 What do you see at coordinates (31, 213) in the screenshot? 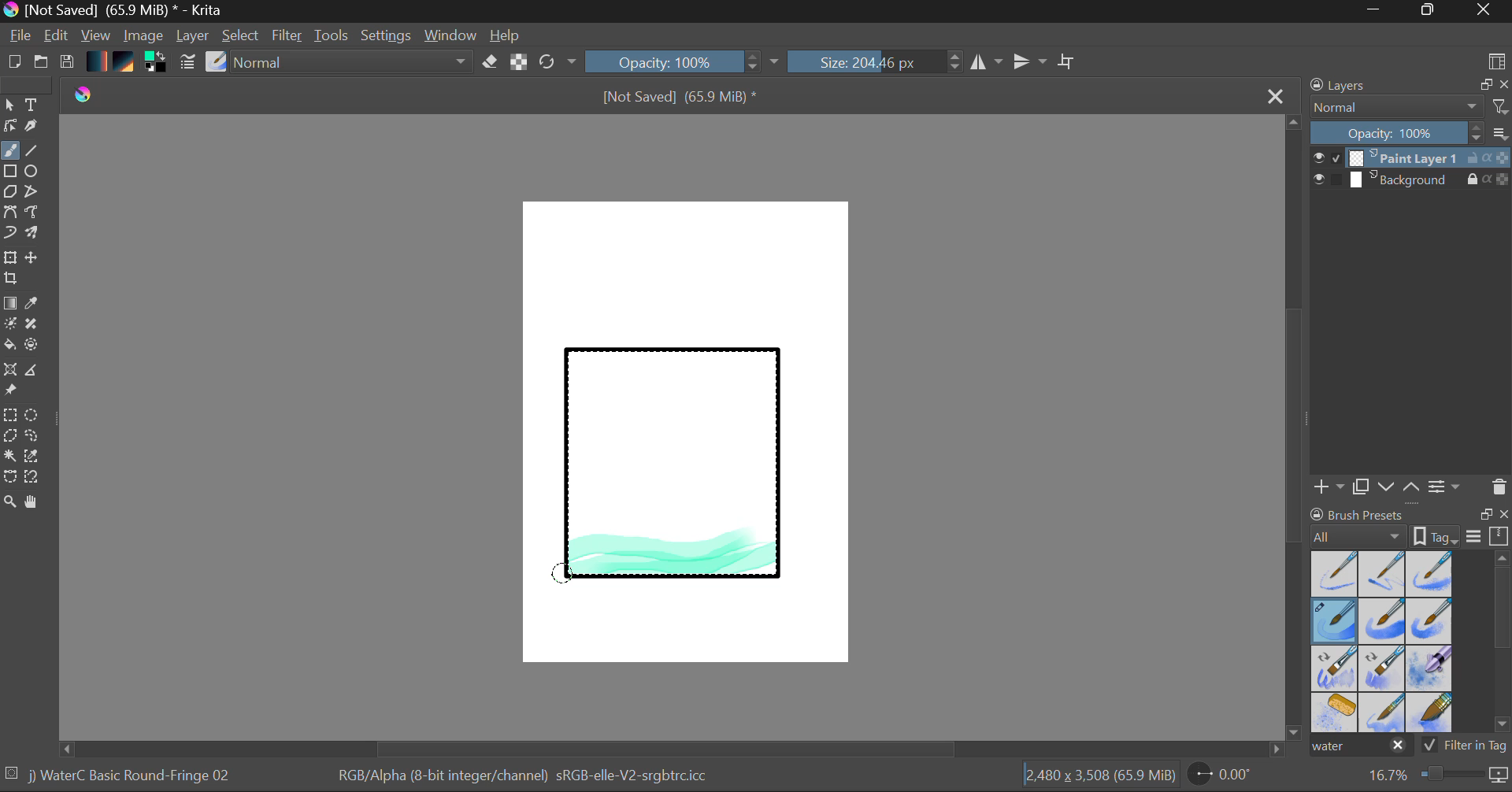
I see `Freehand Path Tool` at bounding box center [31, 213].